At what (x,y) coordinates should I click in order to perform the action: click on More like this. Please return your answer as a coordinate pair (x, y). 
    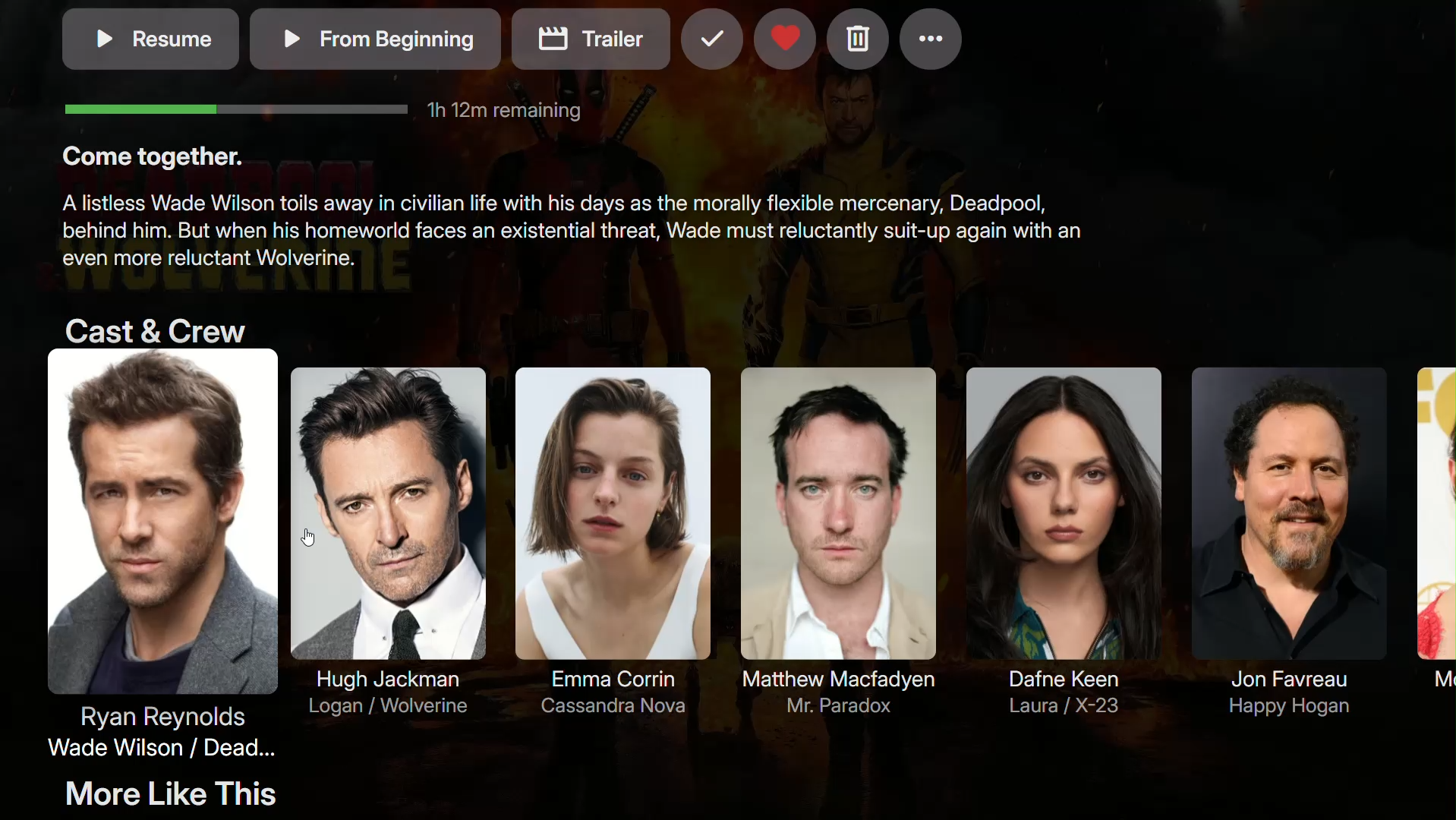
    Looking at the image, I should click on (190, 794).